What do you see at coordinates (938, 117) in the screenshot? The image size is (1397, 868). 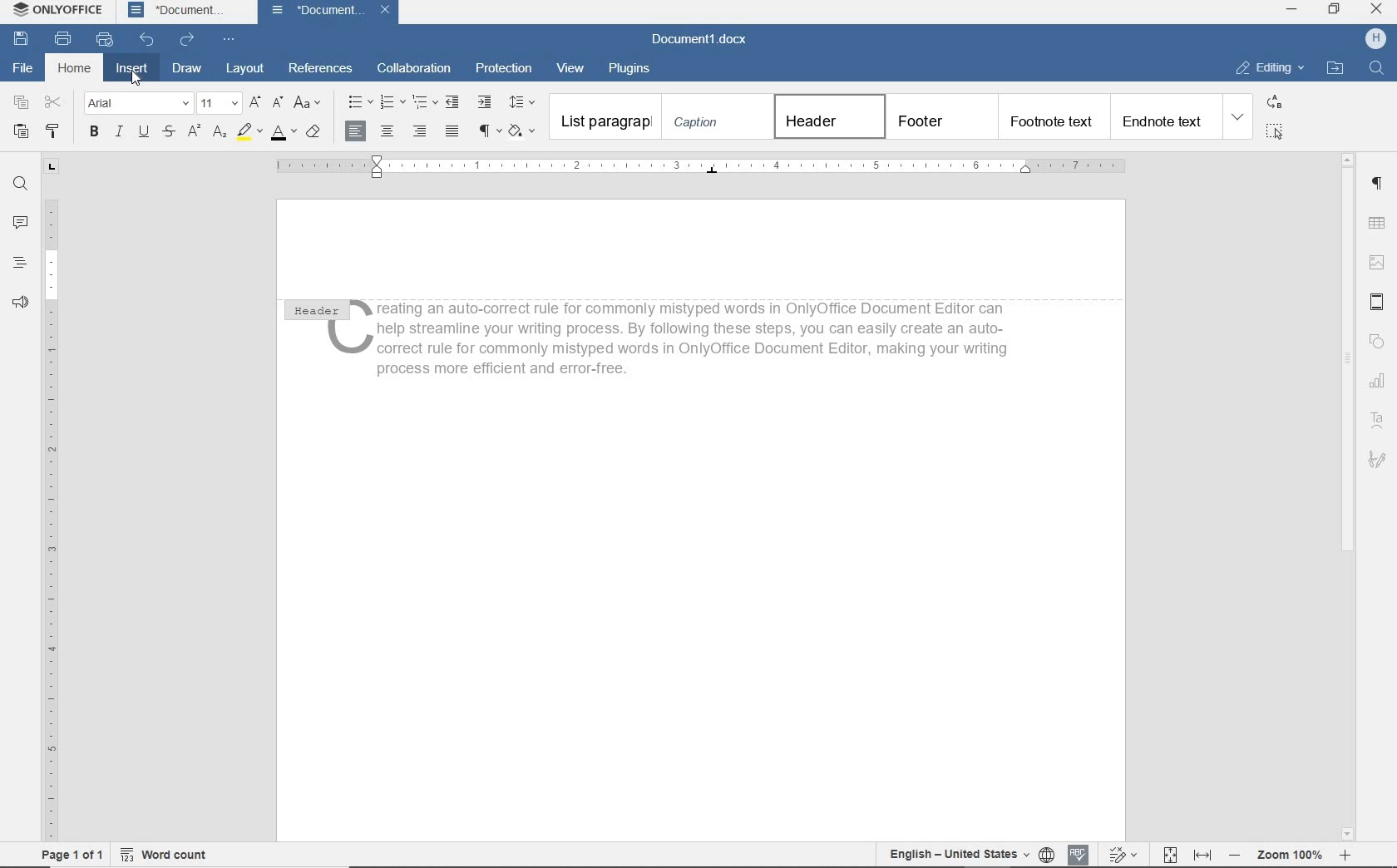 I see `HEADING 2` at bounding box center [938, 117].